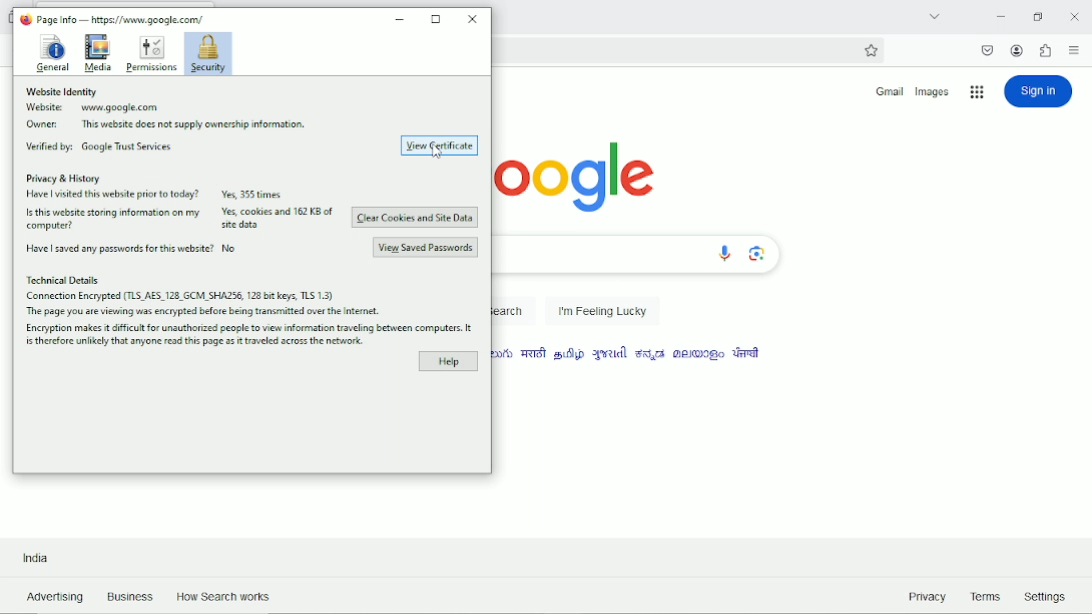 This screenshot has height=614, width=1092. Describe the element at coordinates (51, 53) in the screenshot. I see `General` at that location.